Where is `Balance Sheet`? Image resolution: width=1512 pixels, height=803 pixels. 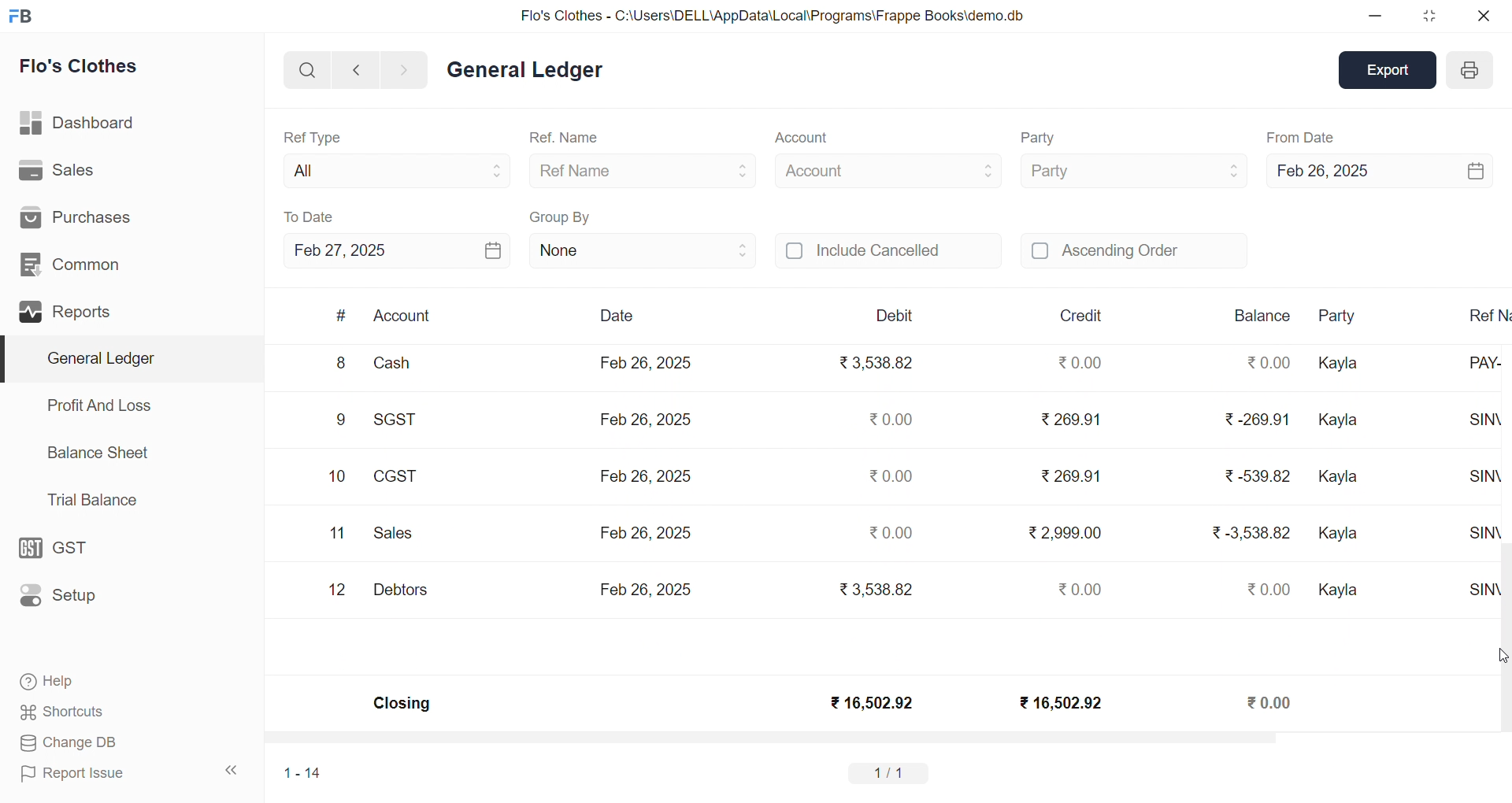
Balance Sheet is located at coordinates (99, 452).